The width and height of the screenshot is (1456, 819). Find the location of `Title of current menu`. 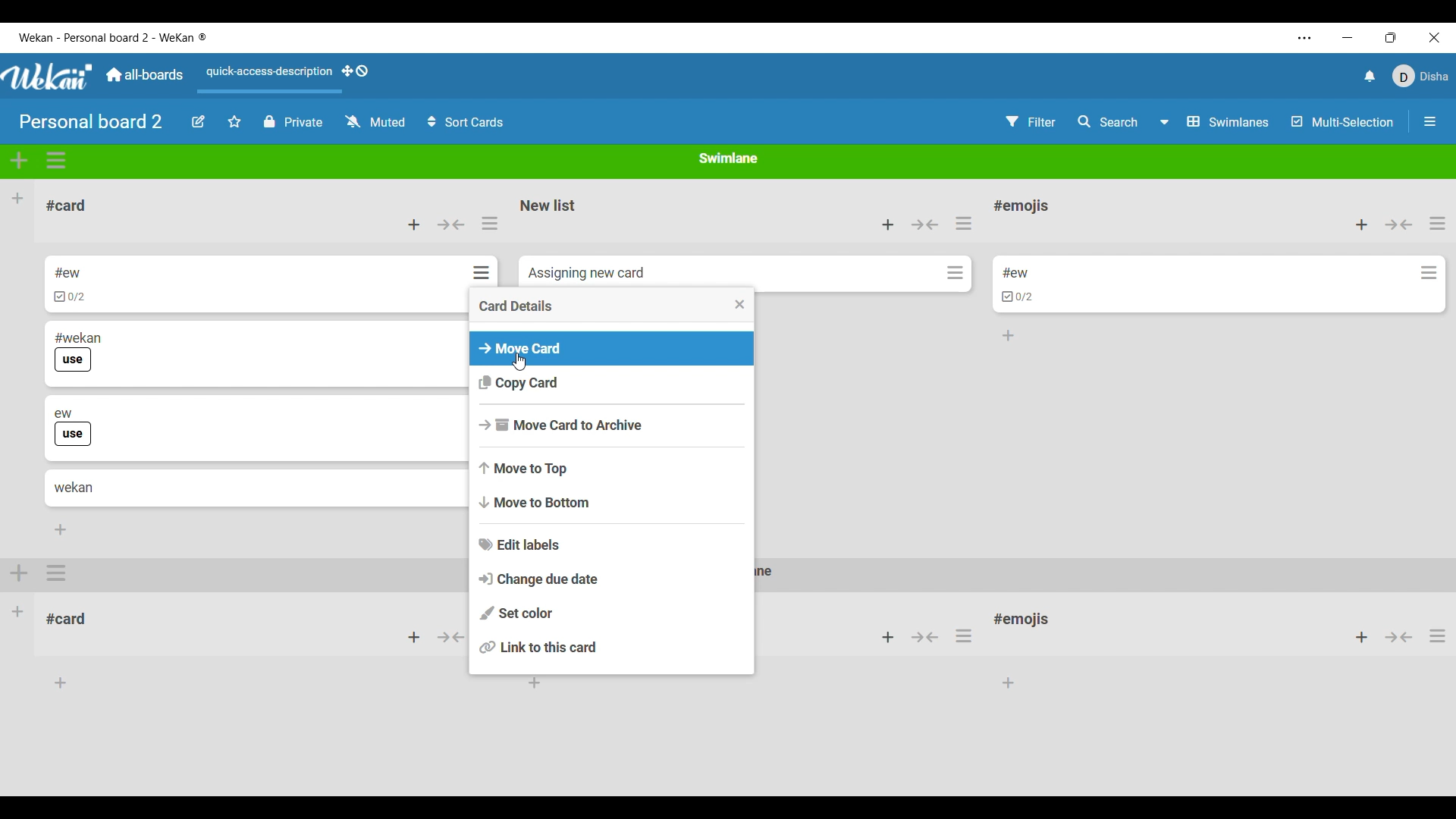

Title of current menu is located at coordinates (516, 306).